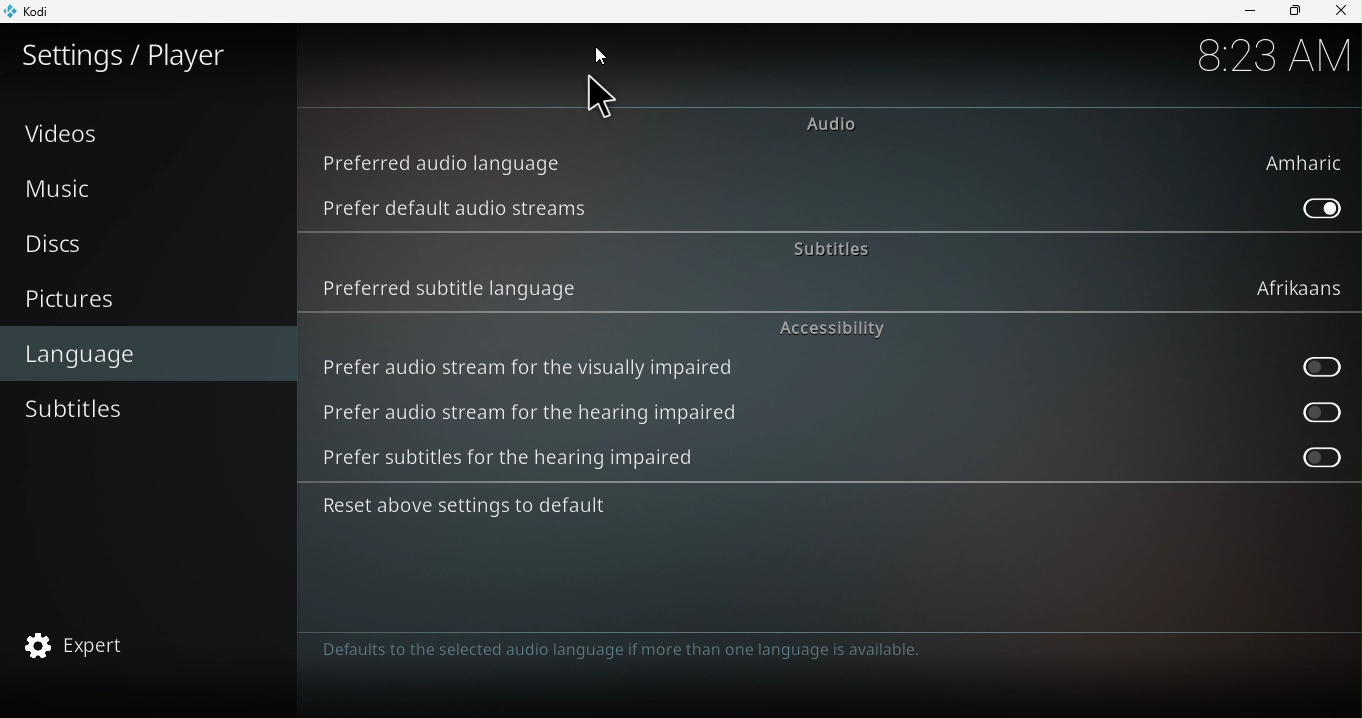  Describe the element at coordinates (1317, 207) in the screenshot. I see `Prefer default audio stream` at that location.